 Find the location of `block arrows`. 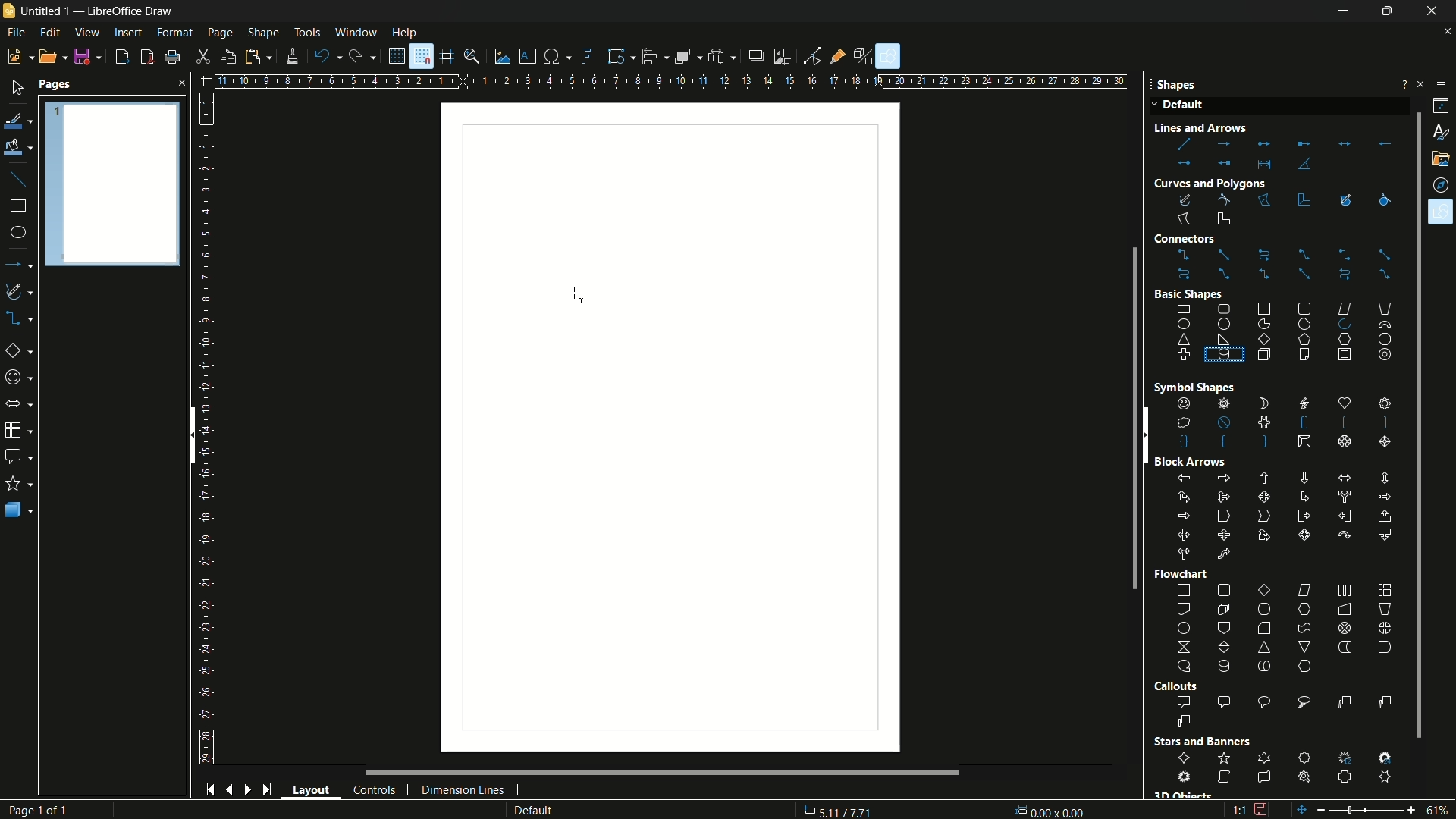

block arrows is located at coordinates (1284, 518).